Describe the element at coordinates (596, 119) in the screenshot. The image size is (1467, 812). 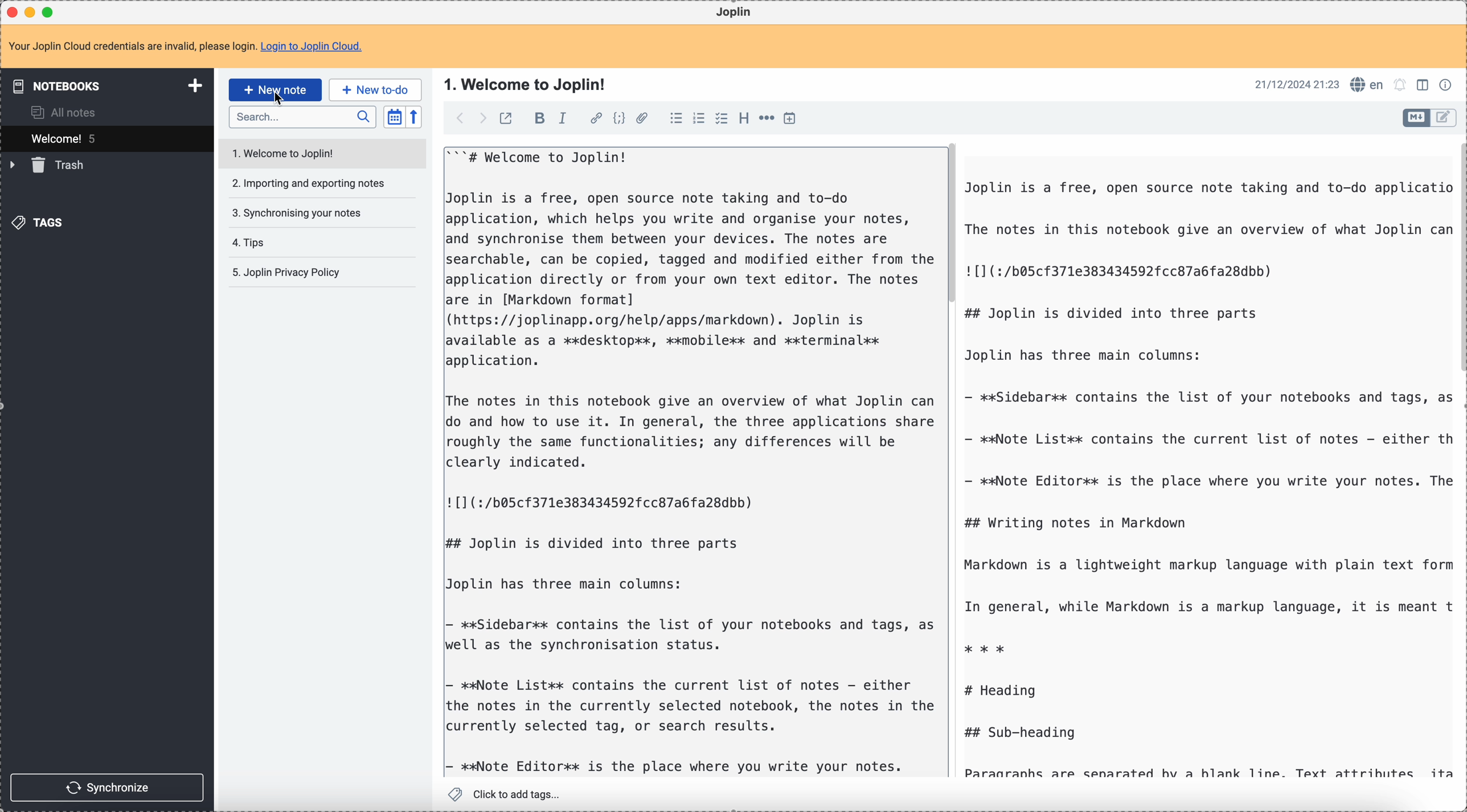
I see `hyperlink` at that location.